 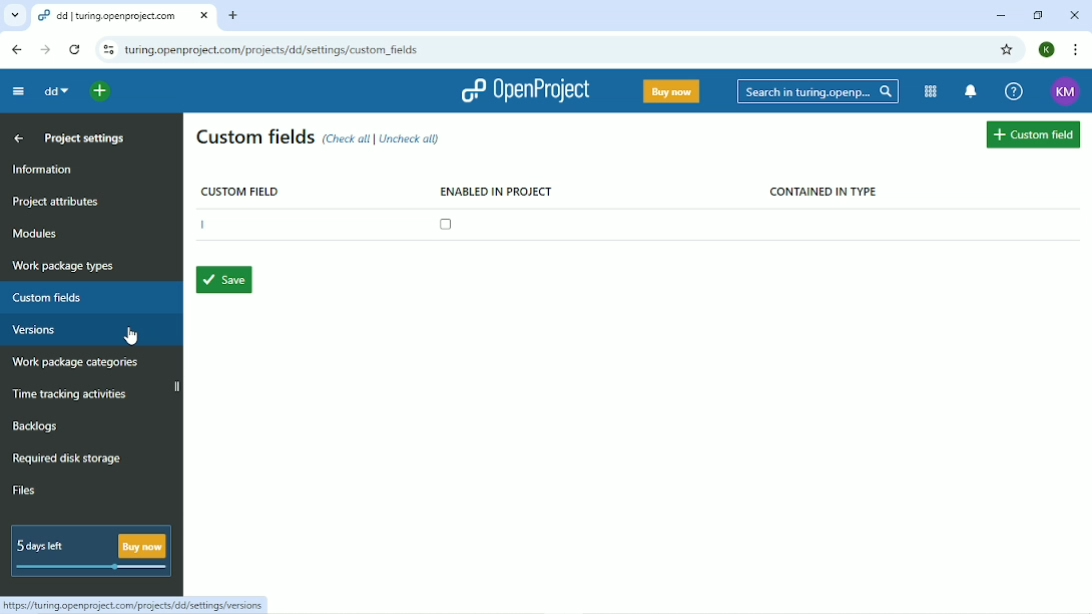 I want to click on new tab, so click(x=236, y=15).